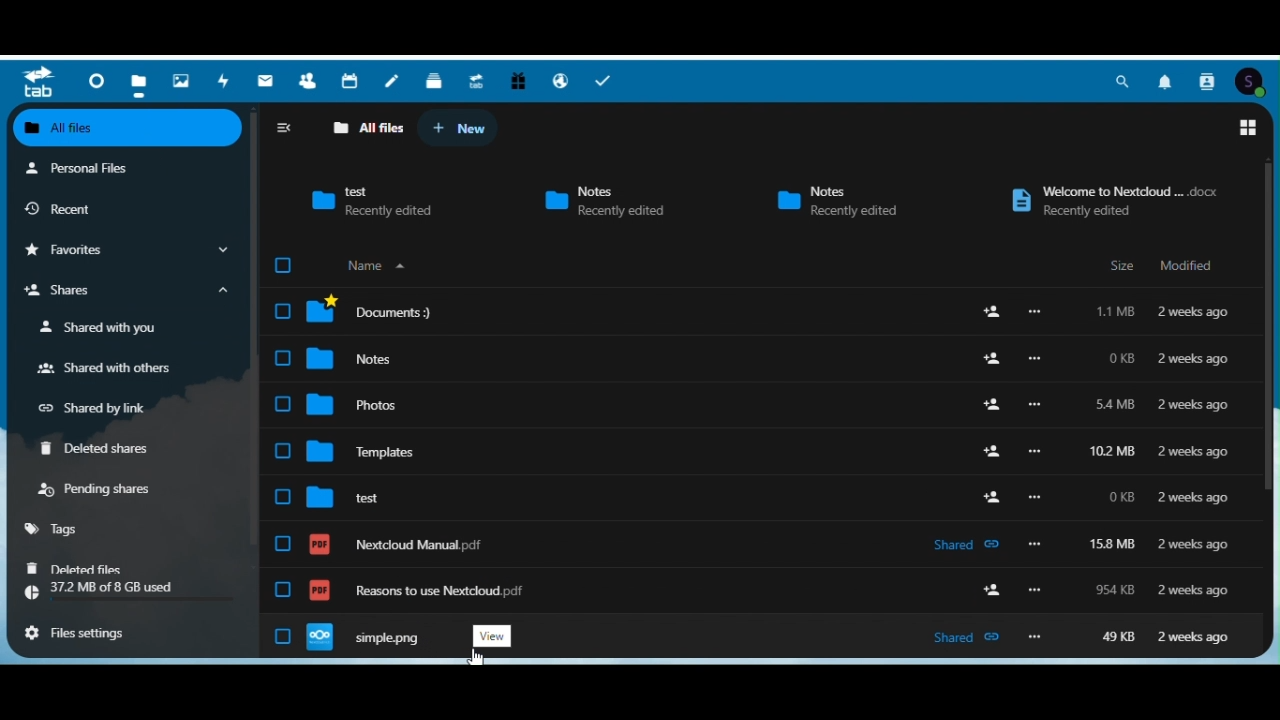 The width and height of the screenshot is (1280, 720). Describe the element at coordinates (304, 80) in the screenshot. I see `Contacts` at that location.